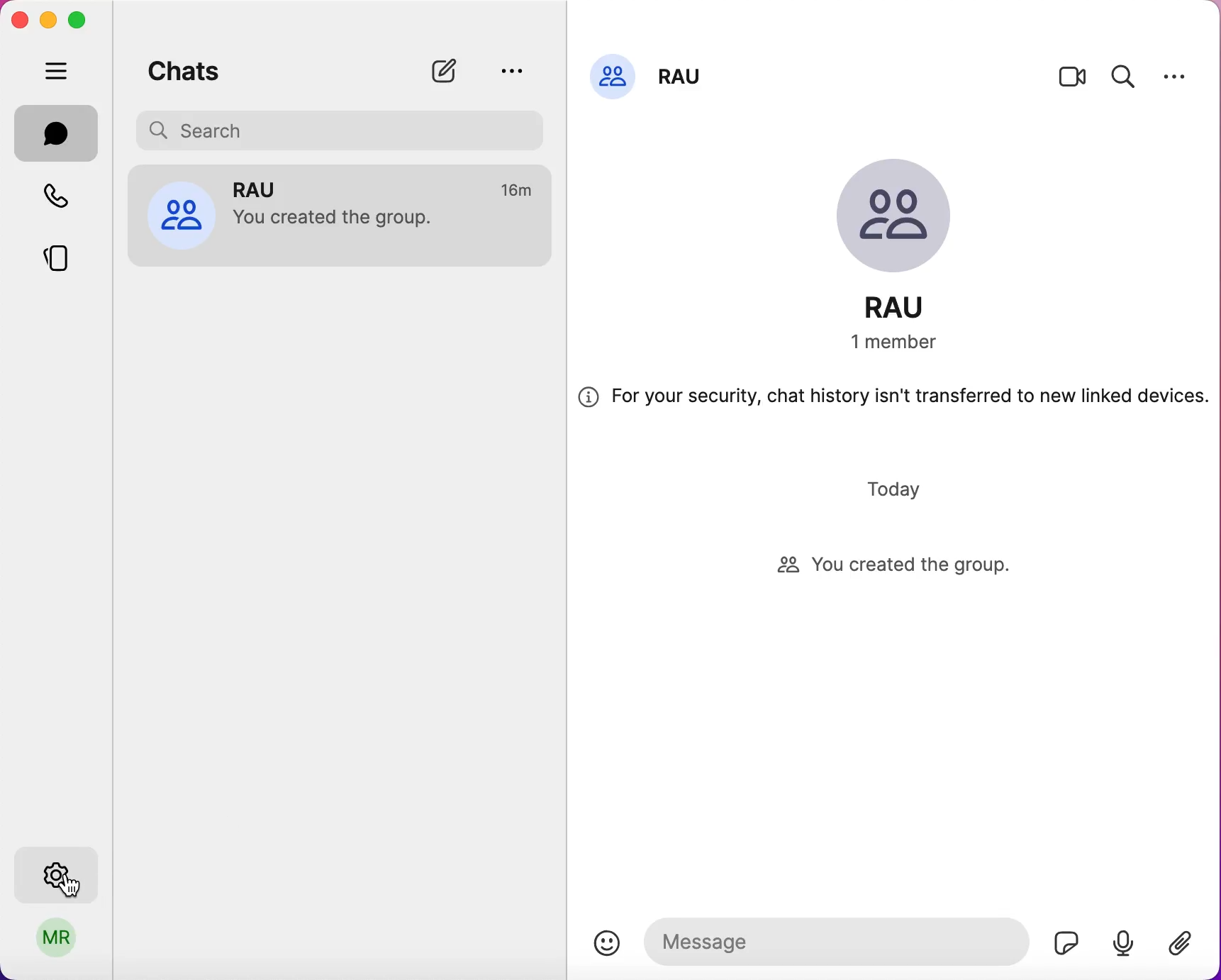  What do you see at coordinates (511, 70) in the screenshot?
I see `view achive` at bounding box center [511, 70].